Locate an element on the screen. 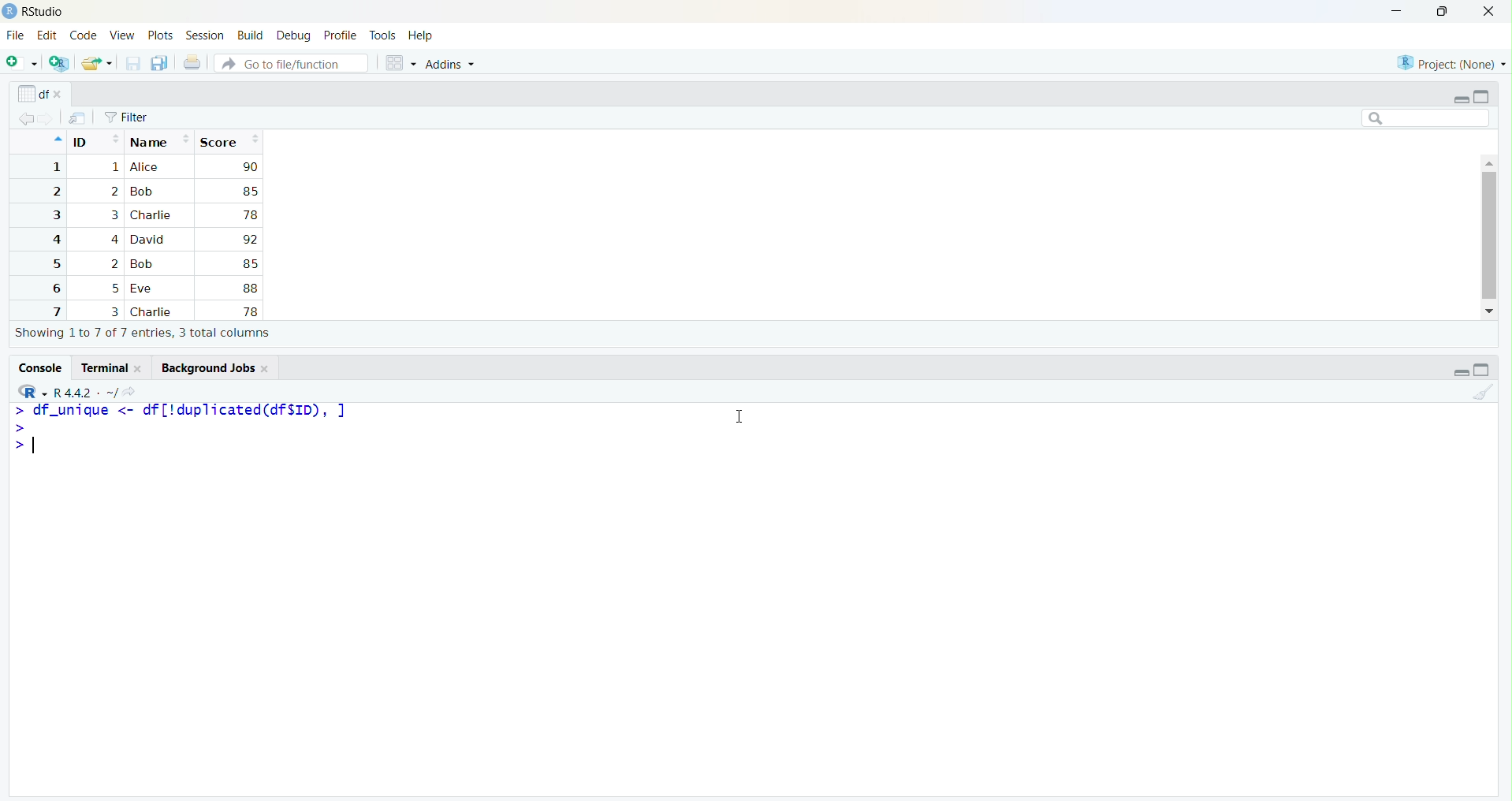 This screenshot has height=801, width=1512. forward is located at coordinates (49, 119).